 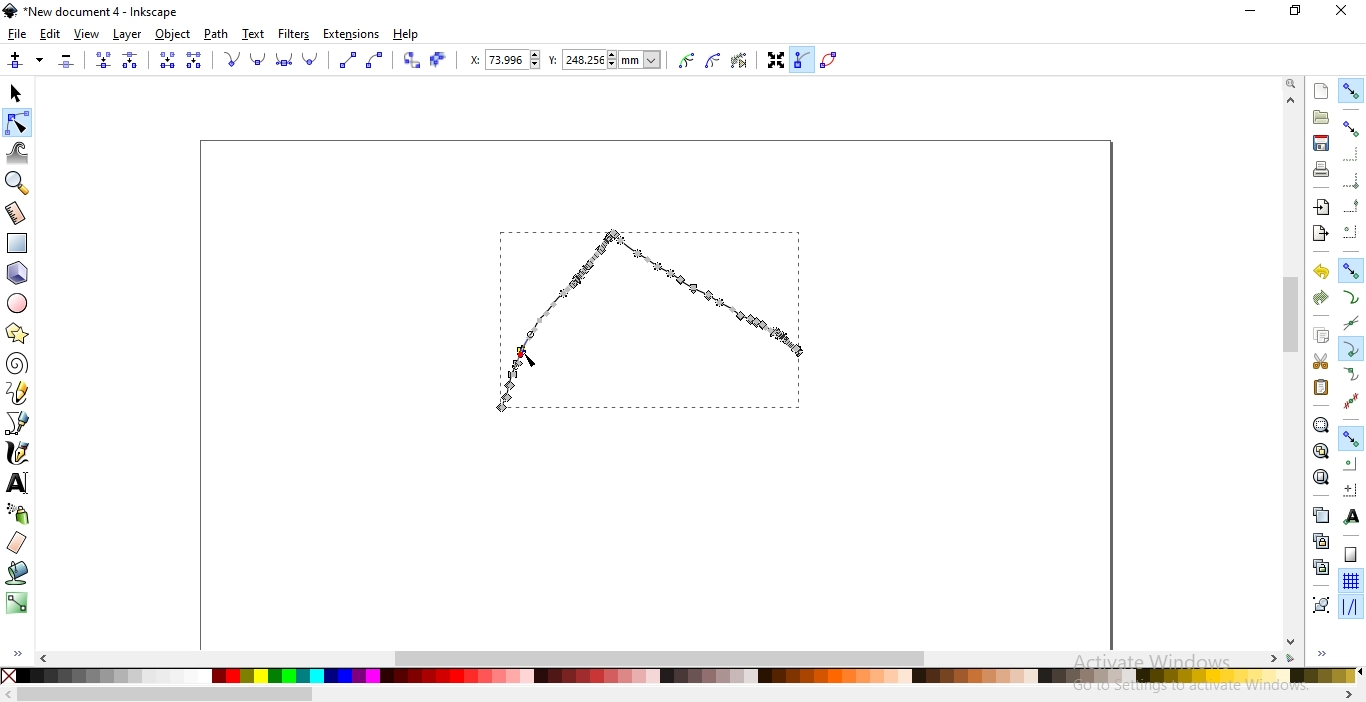 What do you see at coordinates (166, 60) in the screenshot?
I see `join selected endnodes with a new segment` at bounding box center [166, 60].